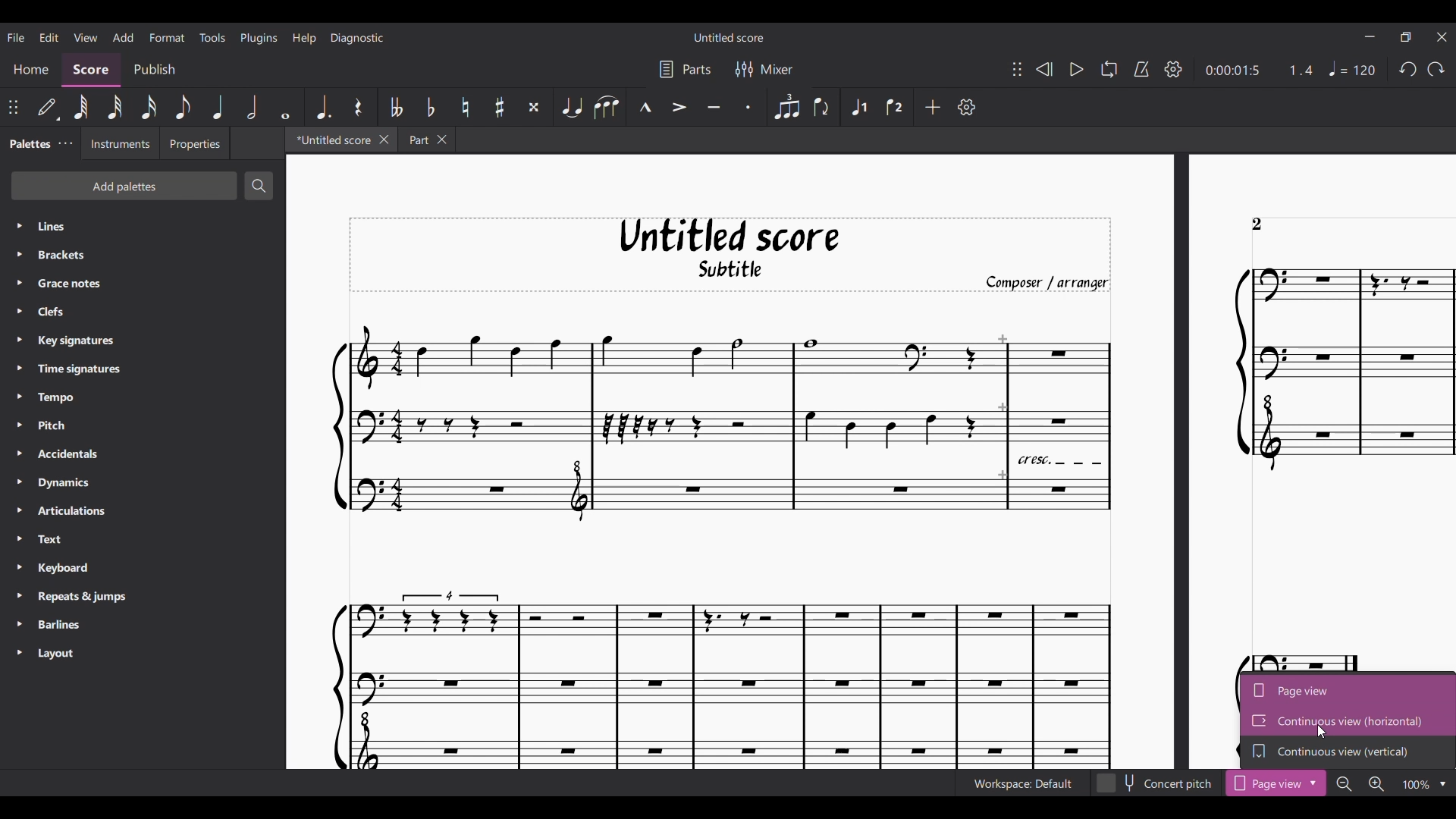  I want to click on Zoom in, so click(1376, 784).